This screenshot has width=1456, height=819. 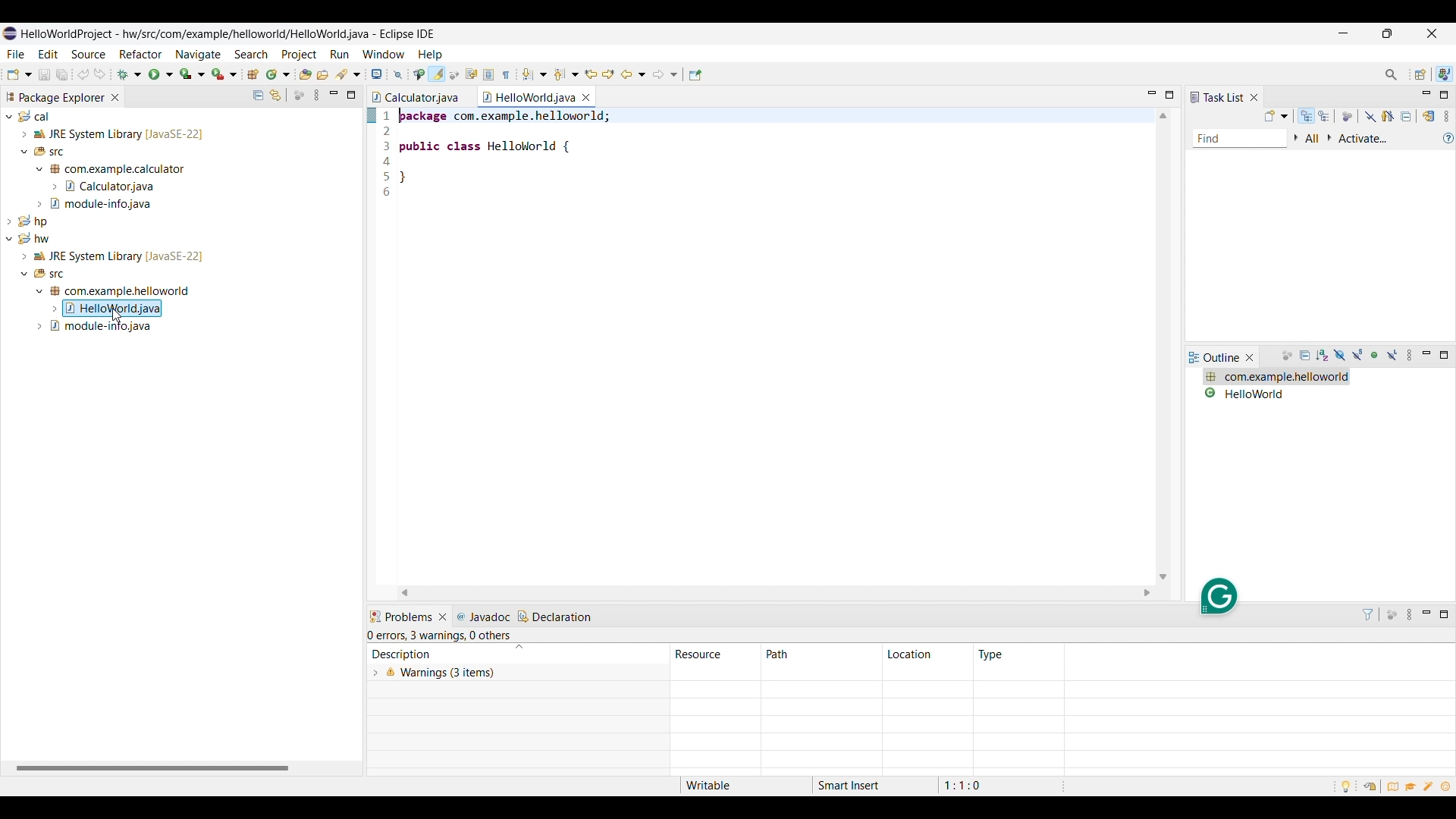 What do you see at coordinates (586, 96) in the screenshot?
I see `close tab 2` at bounding box center [586, 96].